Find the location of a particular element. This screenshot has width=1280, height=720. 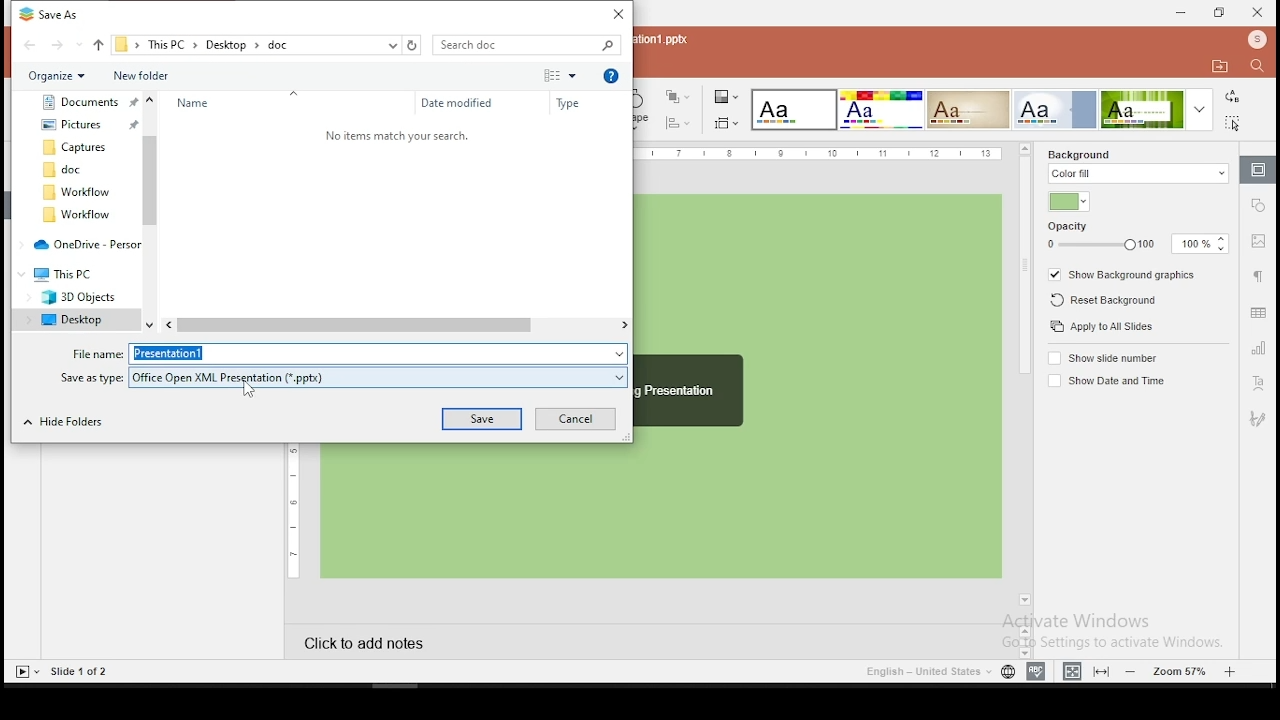

save as type is located at coordinates (94, 378).